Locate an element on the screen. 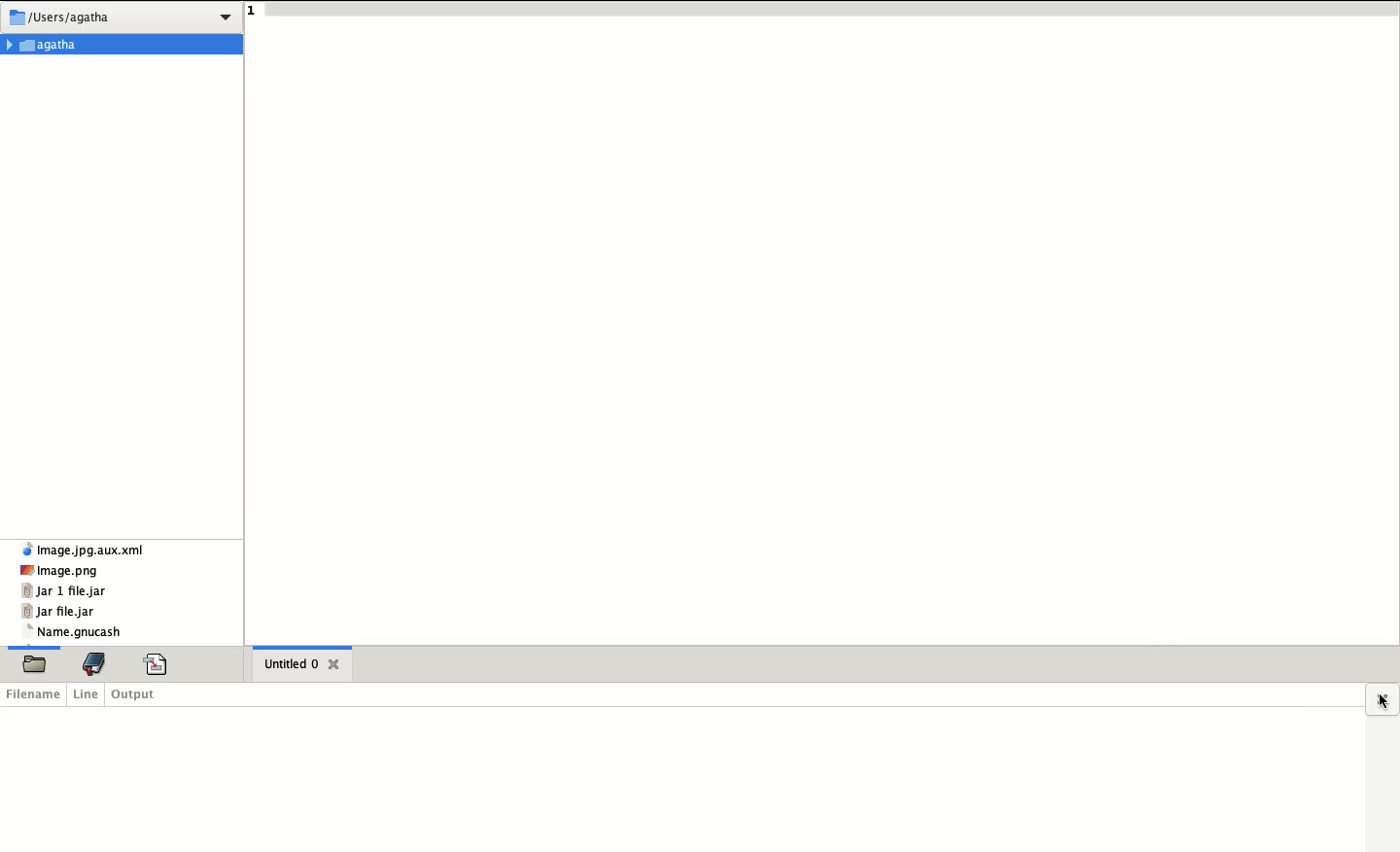 This screenshot has height=852, width=1400. filename is located at coordinates (33, 694).